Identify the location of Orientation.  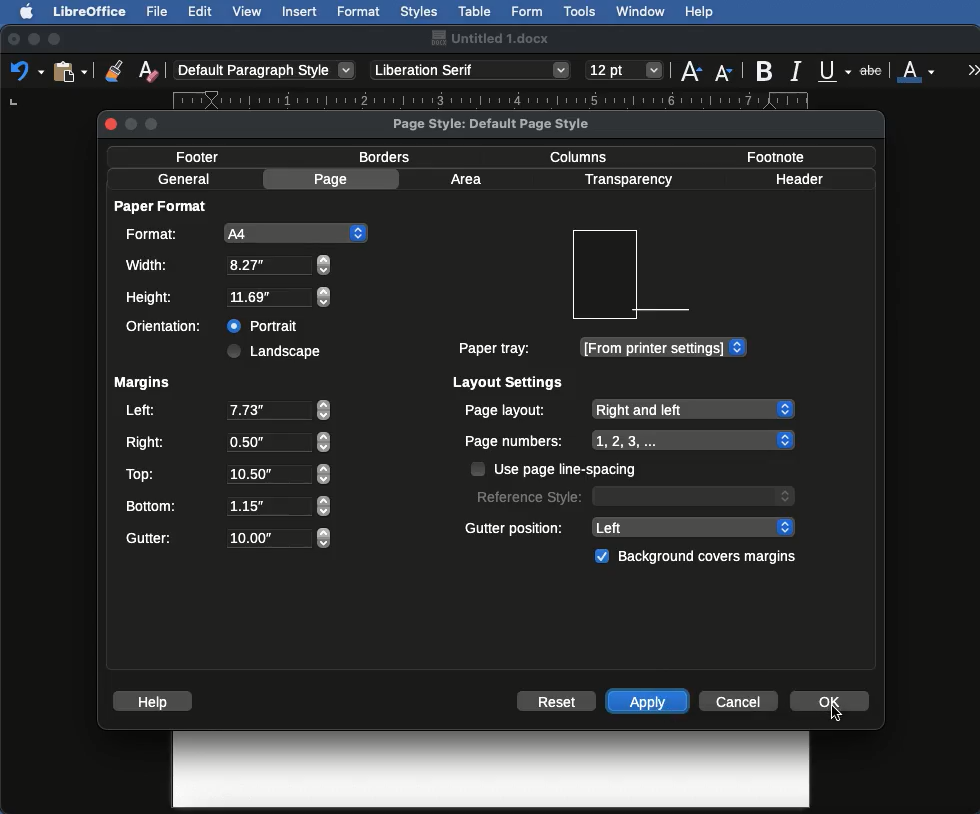
(168, 326).